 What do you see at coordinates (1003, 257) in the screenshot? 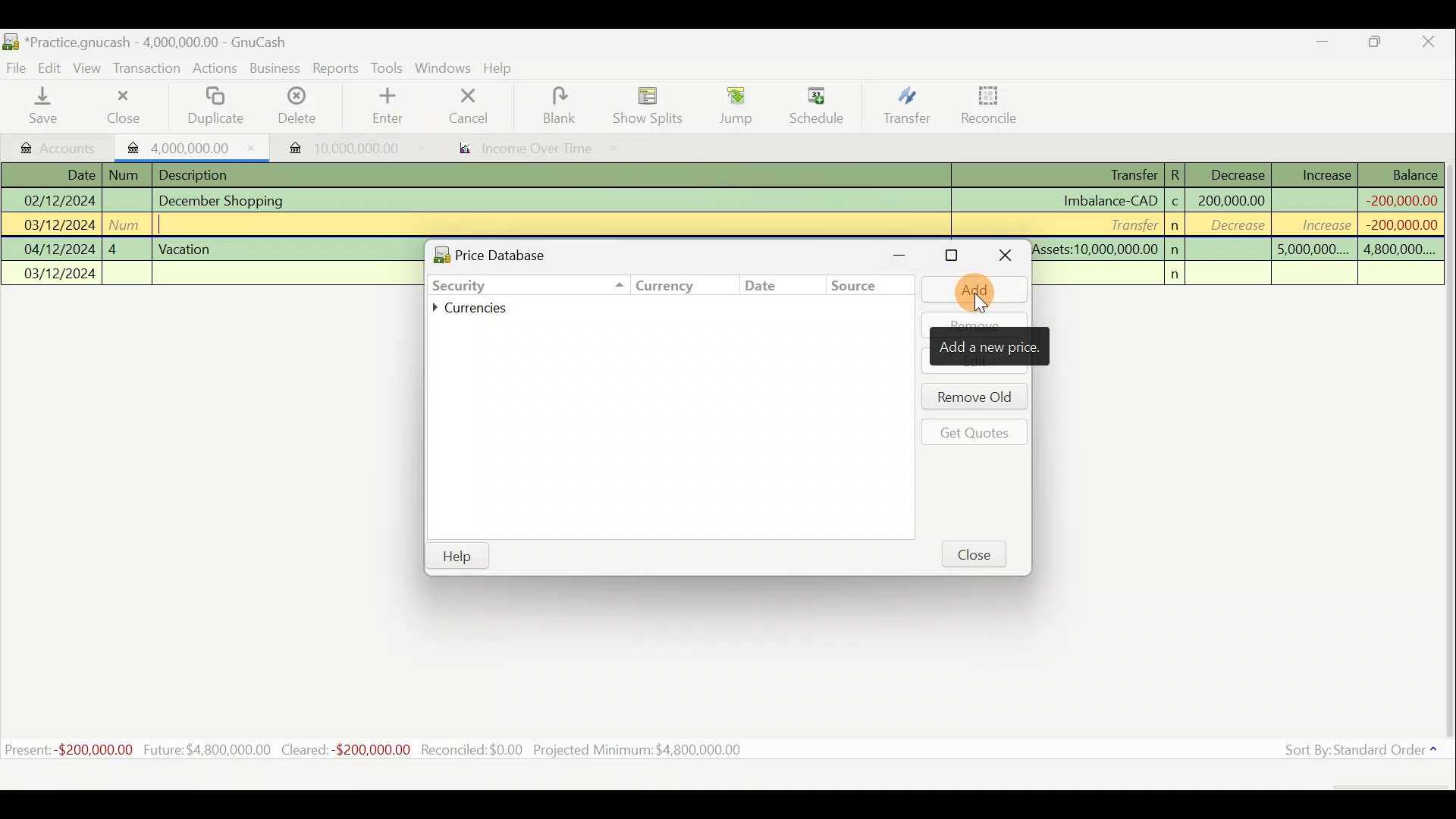
I see `Close` at bounding box center [1003, 257].